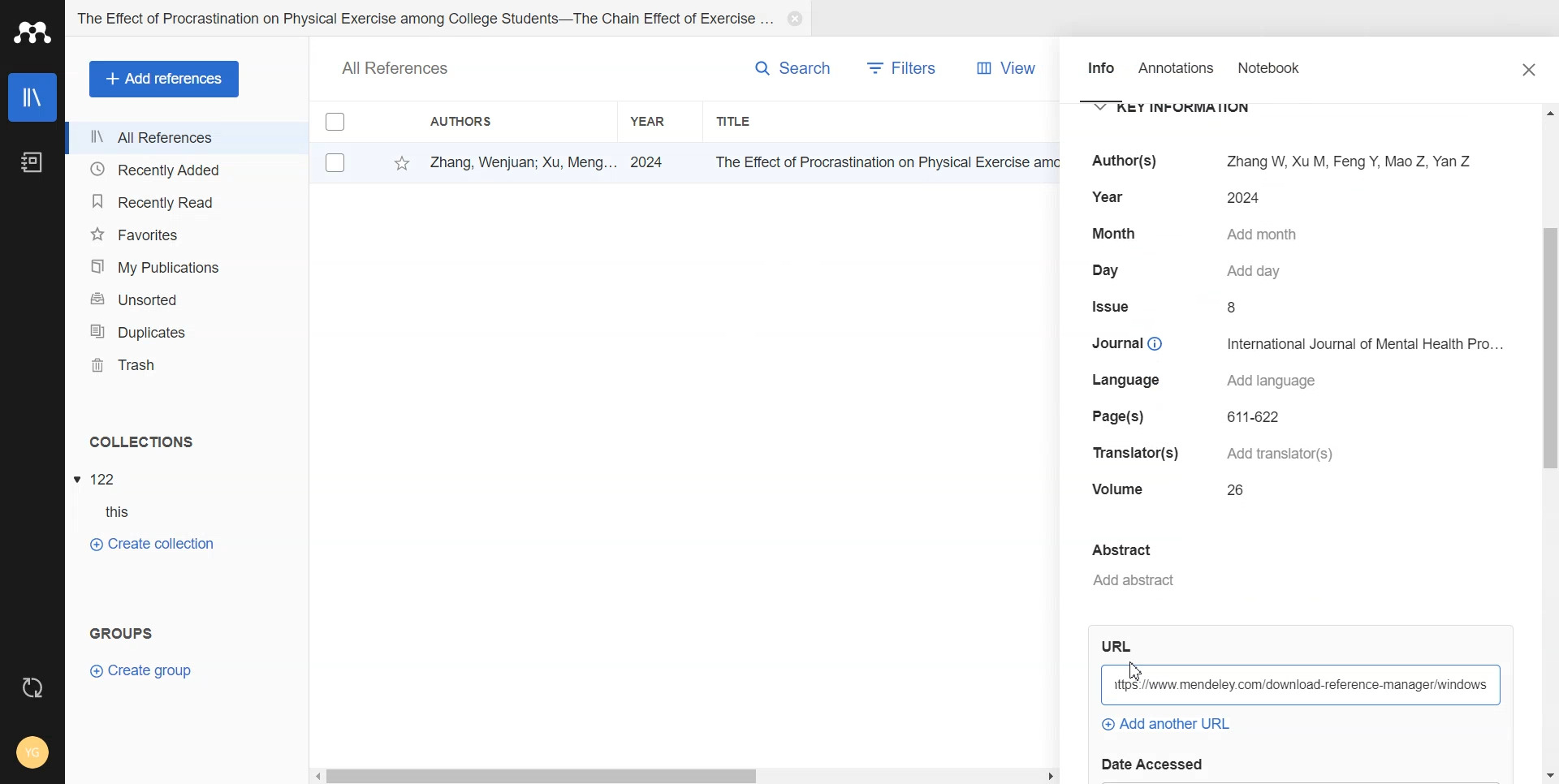 The image size is (1559, 784). Describe the element at coordinates (1003, 67) in the screenshot. I see `View` at that location.